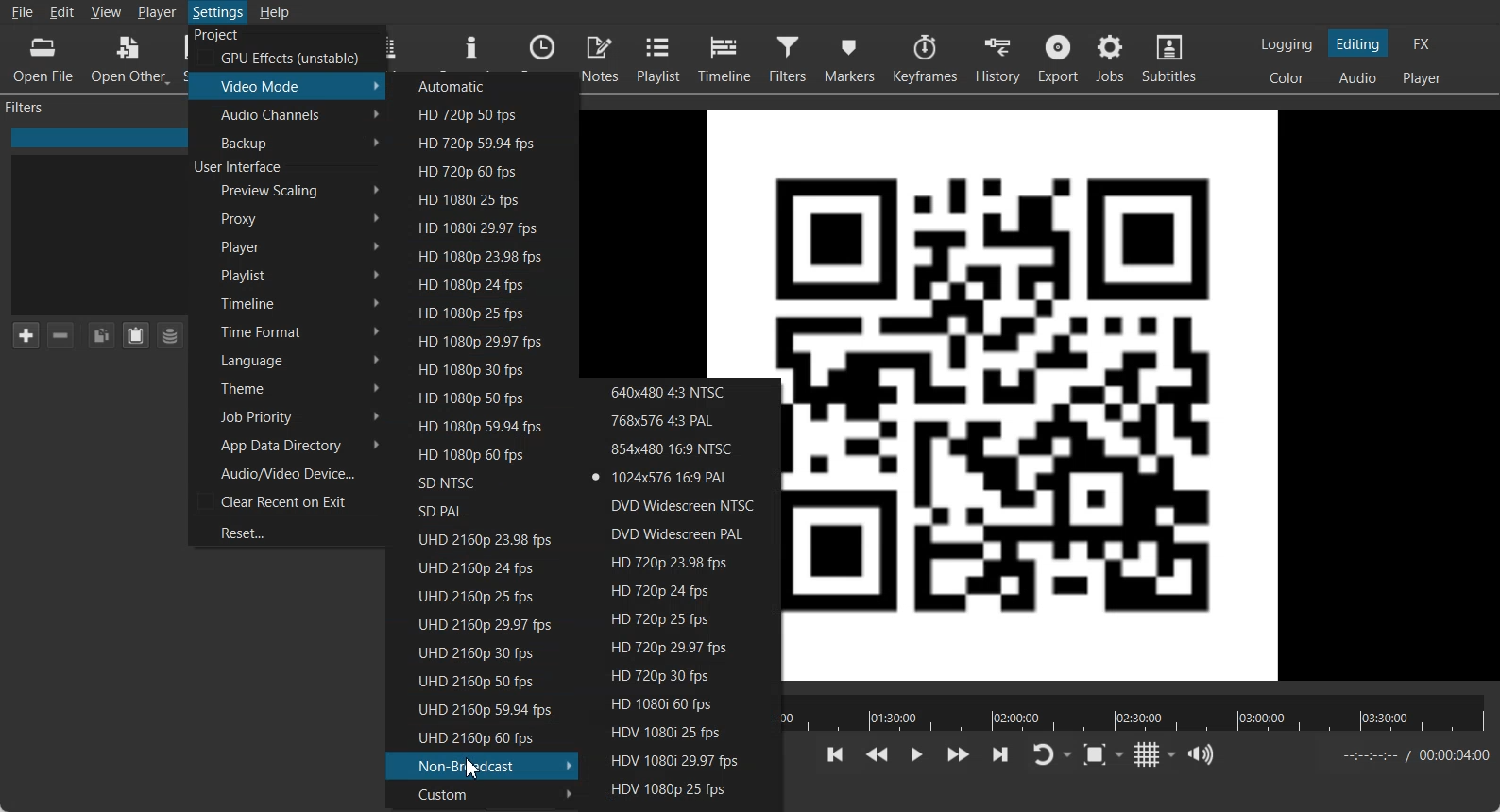 The width and height of the screenshot is (1500, 812). I want to click on Notes, so click(601, 58).